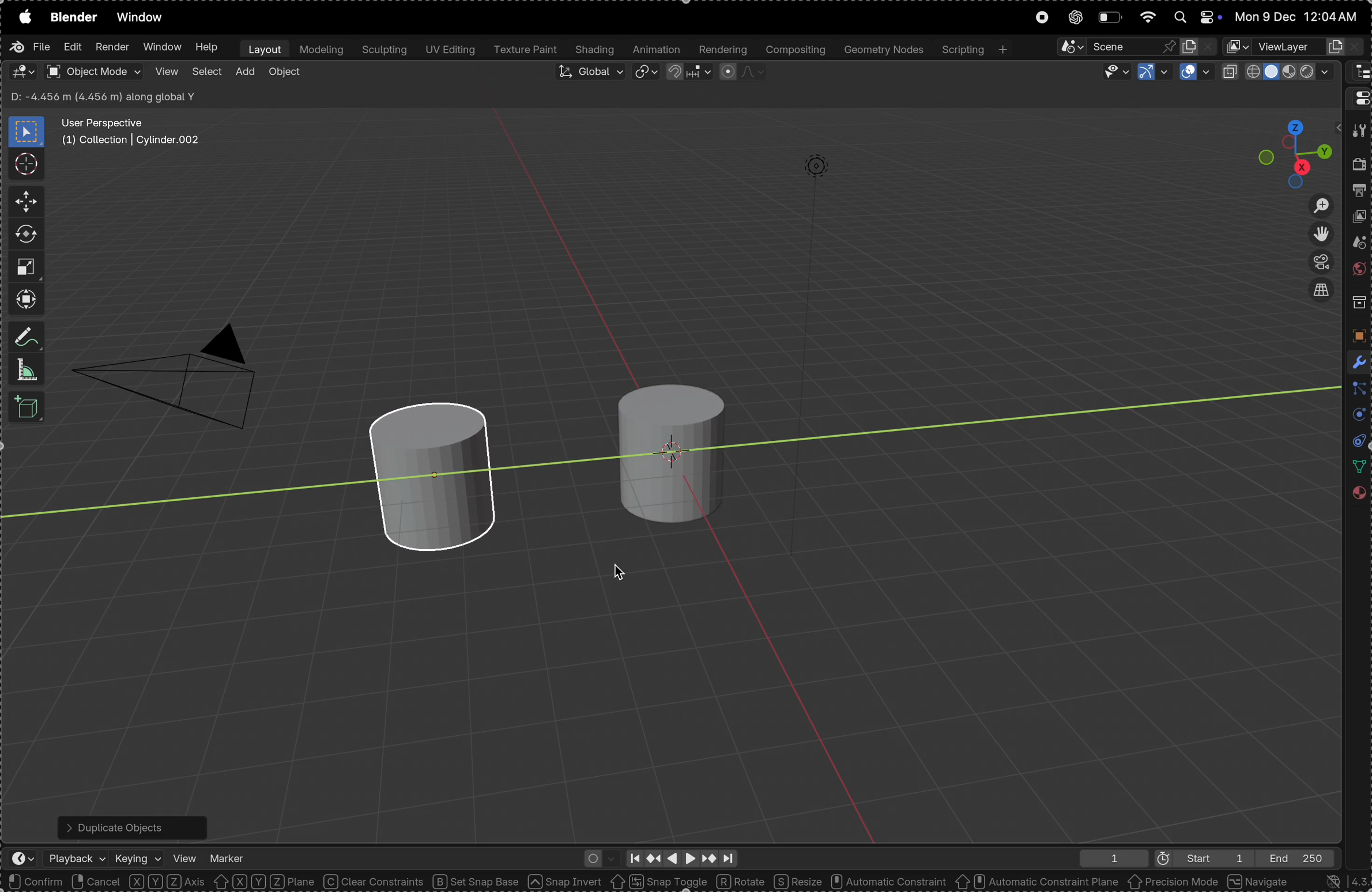 This screenshot has height=892, width=1372. I want to click on editor type, so click(1358, 73).